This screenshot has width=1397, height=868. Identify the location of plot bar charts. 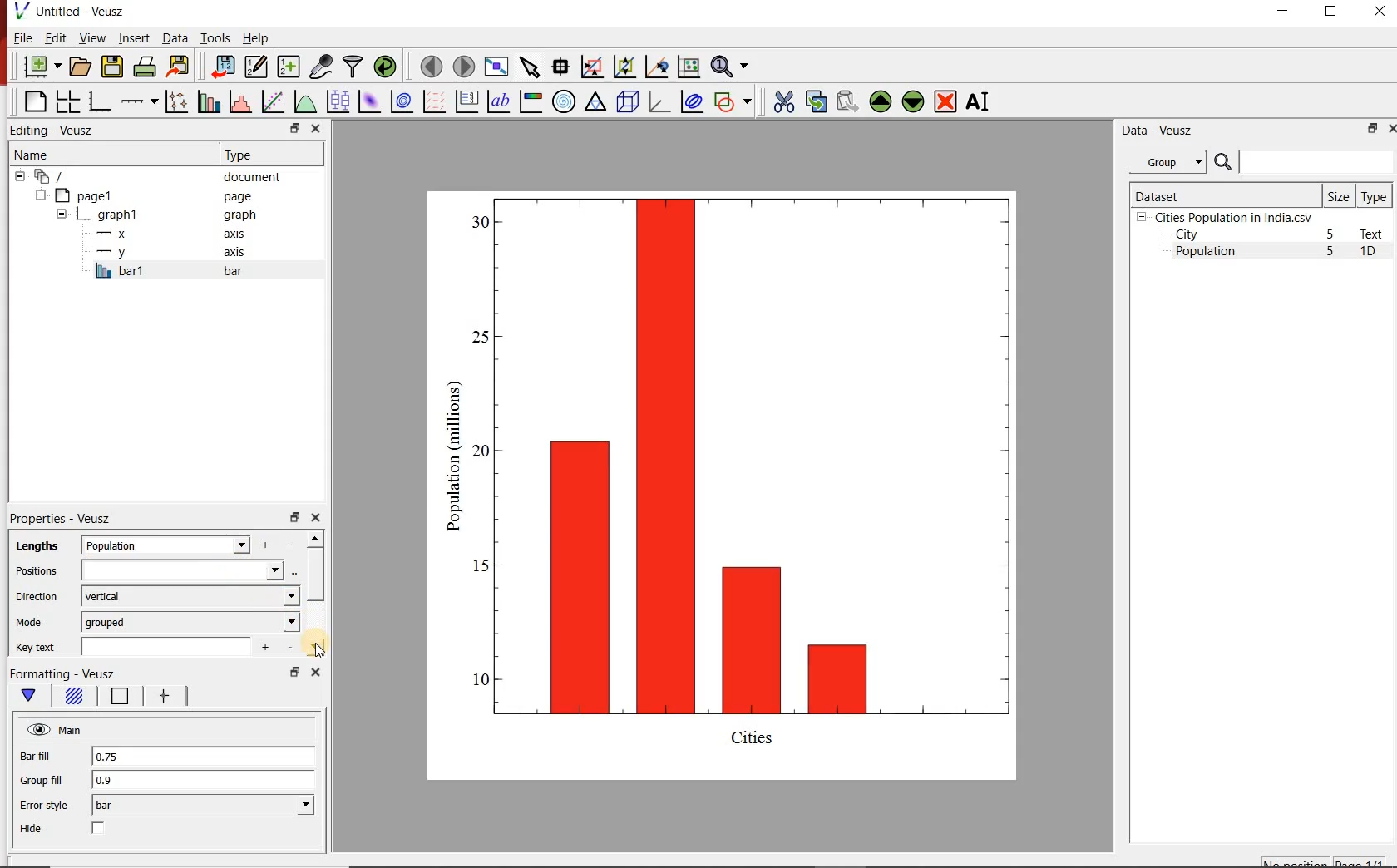
(206, 101).